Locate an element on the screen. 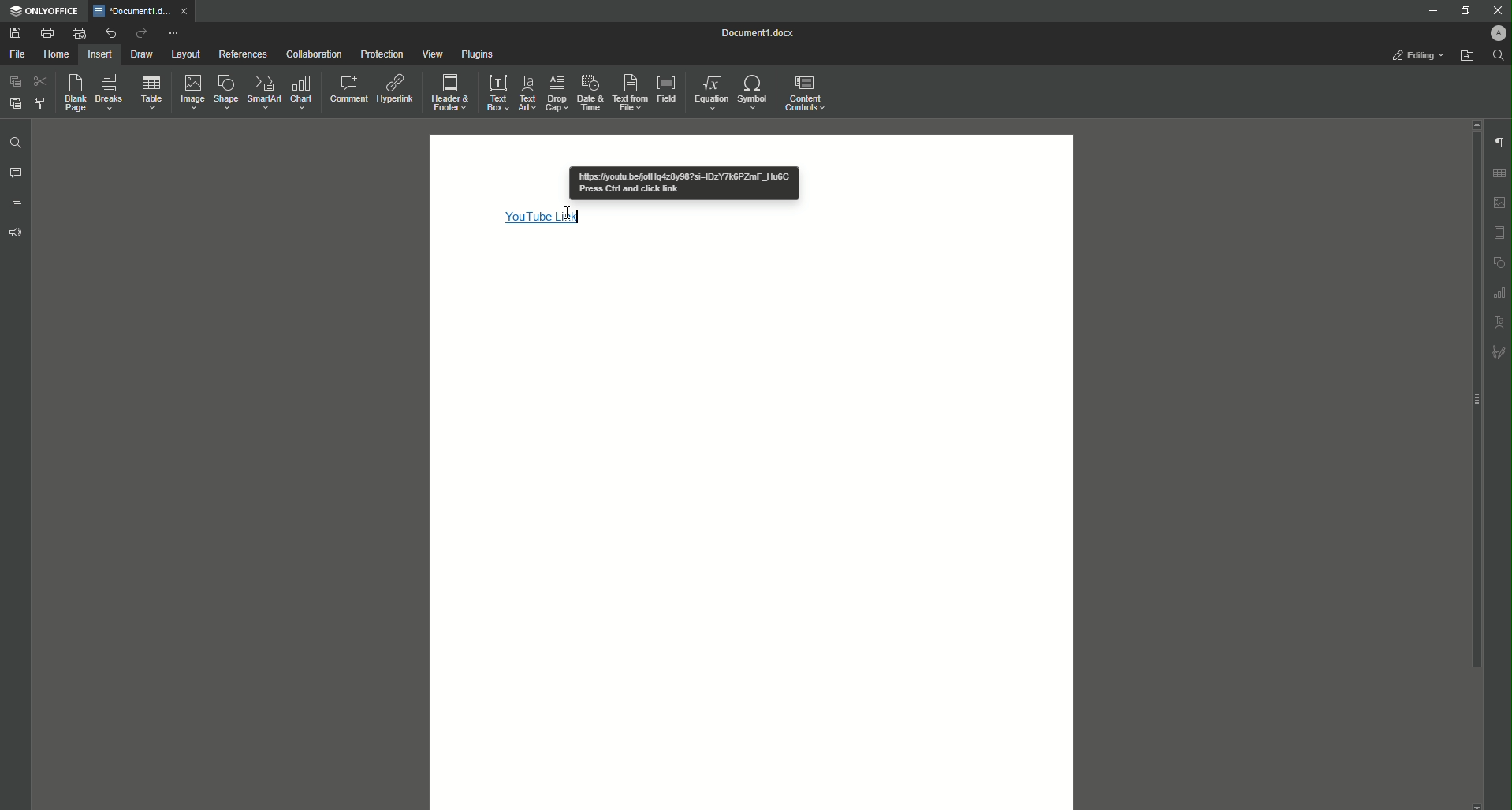 The width and height of the screenshot is (1512, 810). Image is located at coordinates (194, 92).